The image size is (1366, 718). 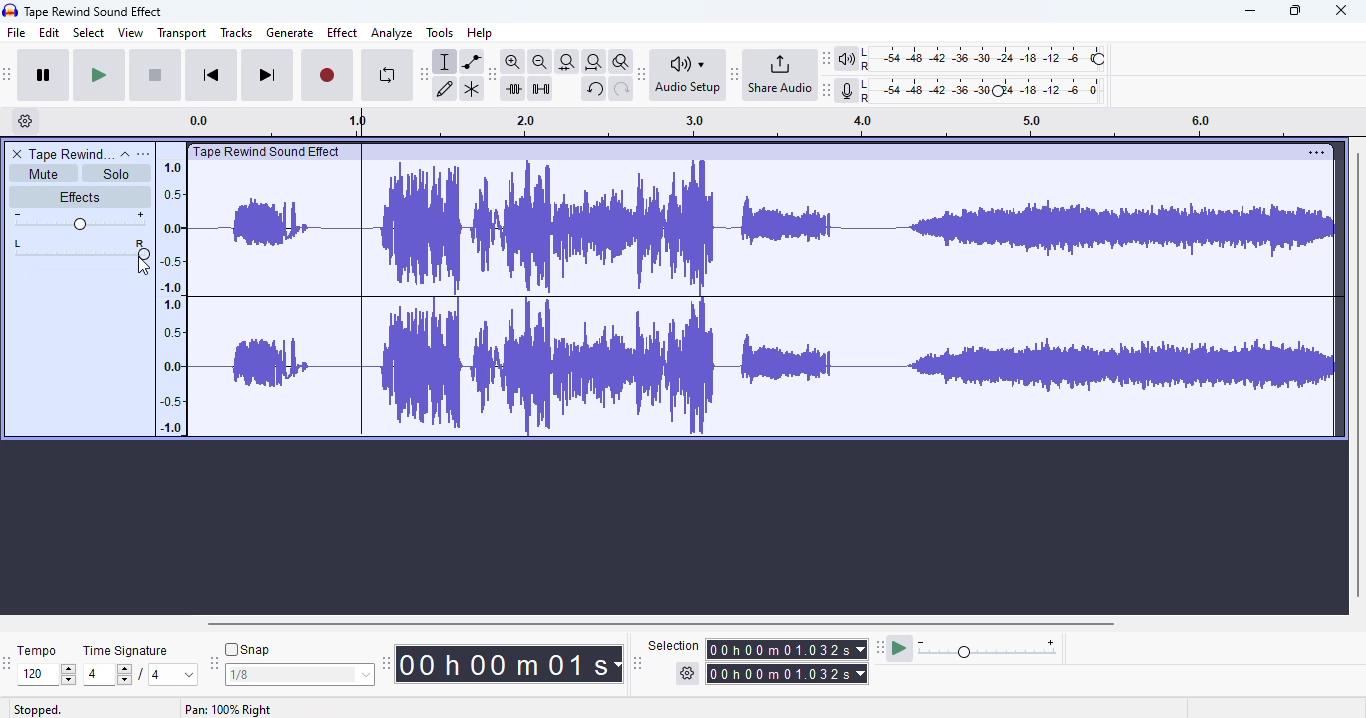 I want to click on zoom in, so click(x=512, y=61).